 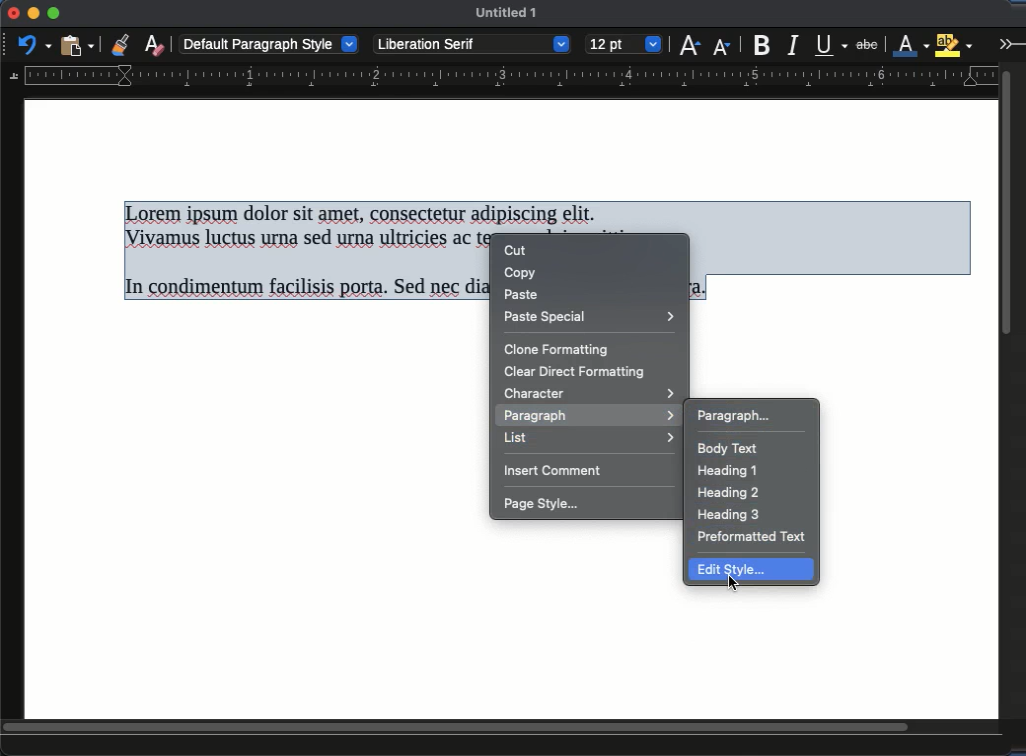 I want to click on default paragraph style, so click(x=270, y=43).